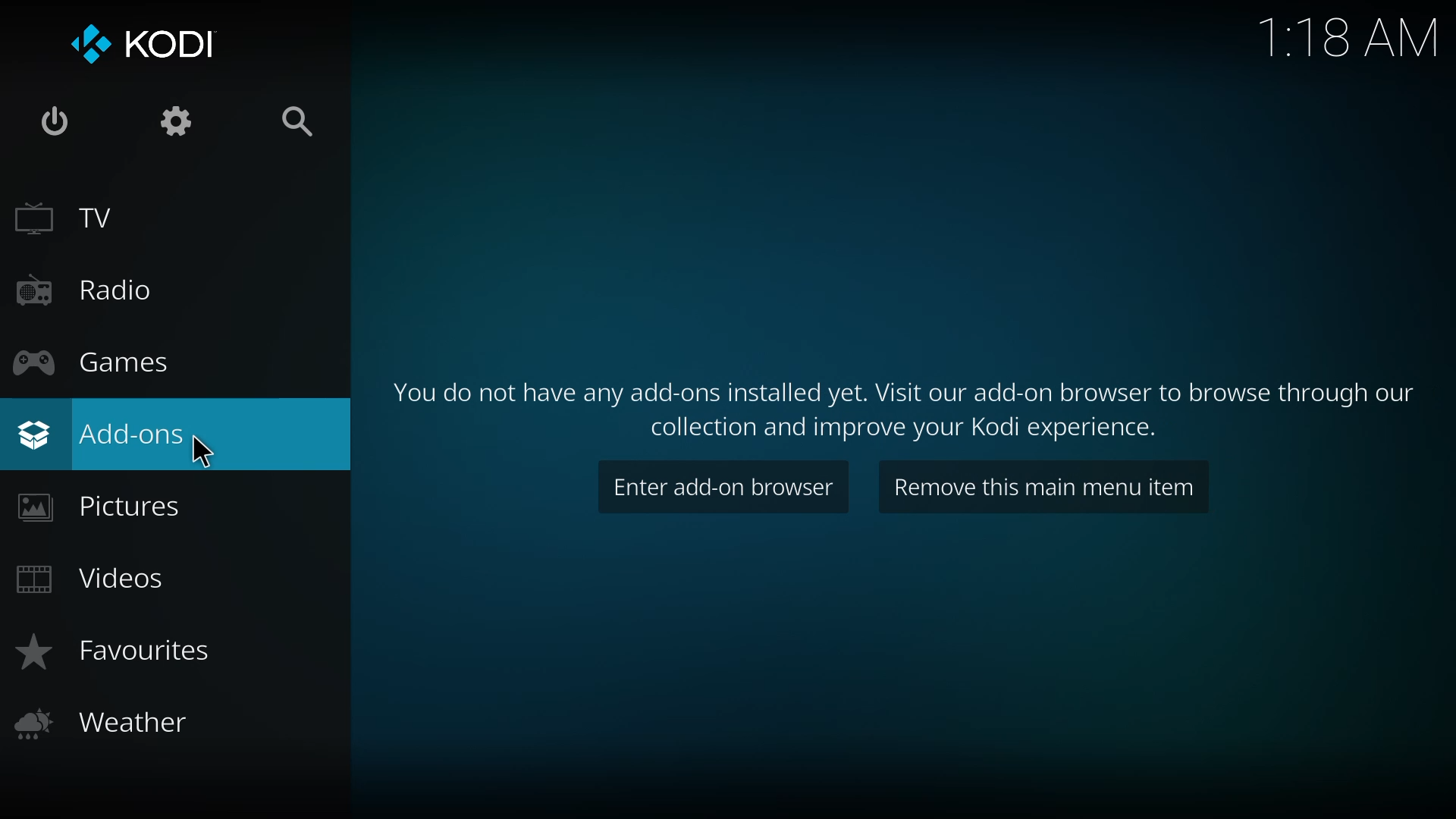 This screenshot has height=819, width=1456. What do you see at coordinates (1043, 488) in the screenshot?
I see `remove this main menu item` at bounding box center [1043, 488].